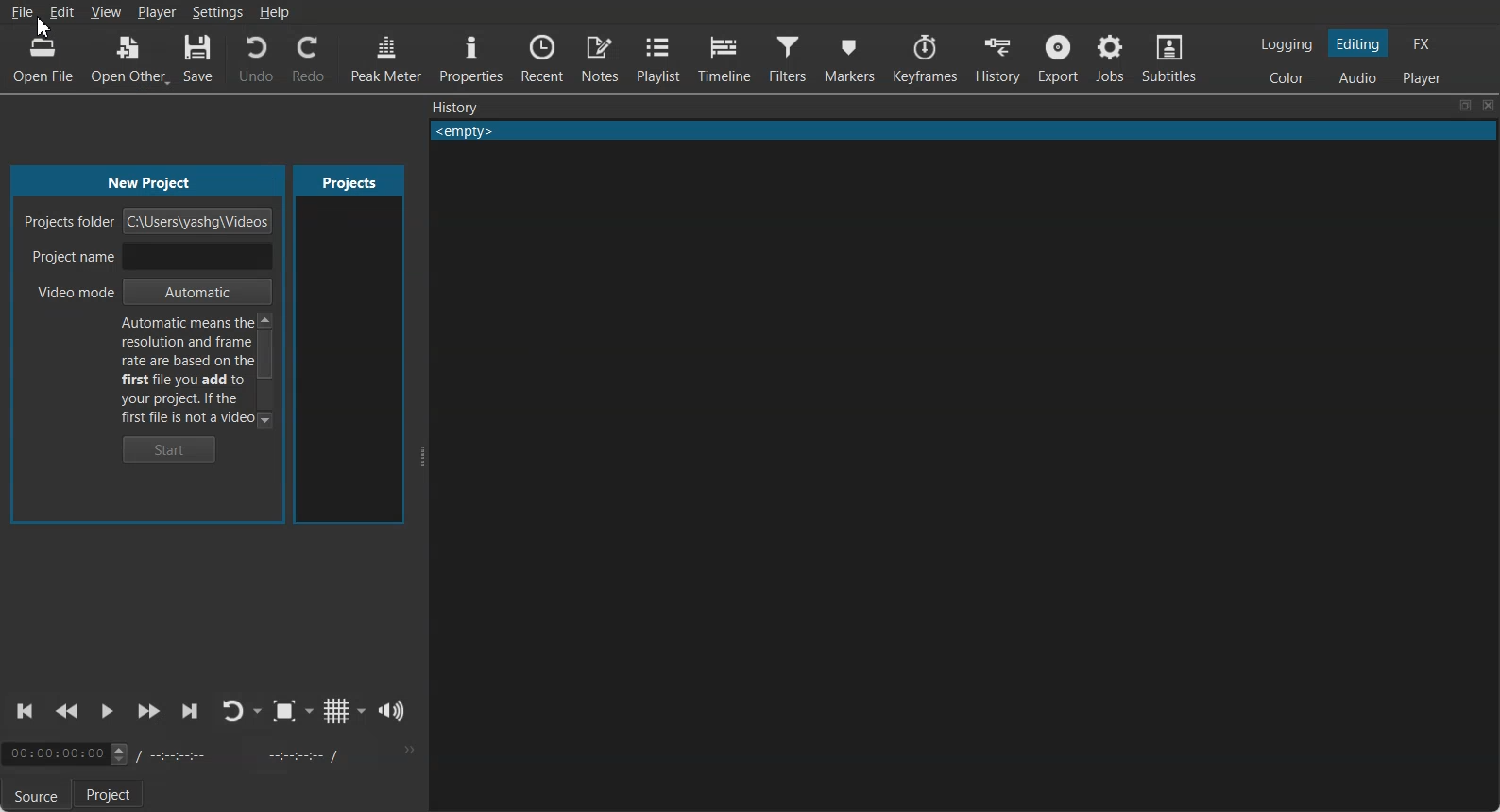 The width and height of the screenshot is (1500, 812). I want to click on Play Quickly Backward, so click(67, 712).